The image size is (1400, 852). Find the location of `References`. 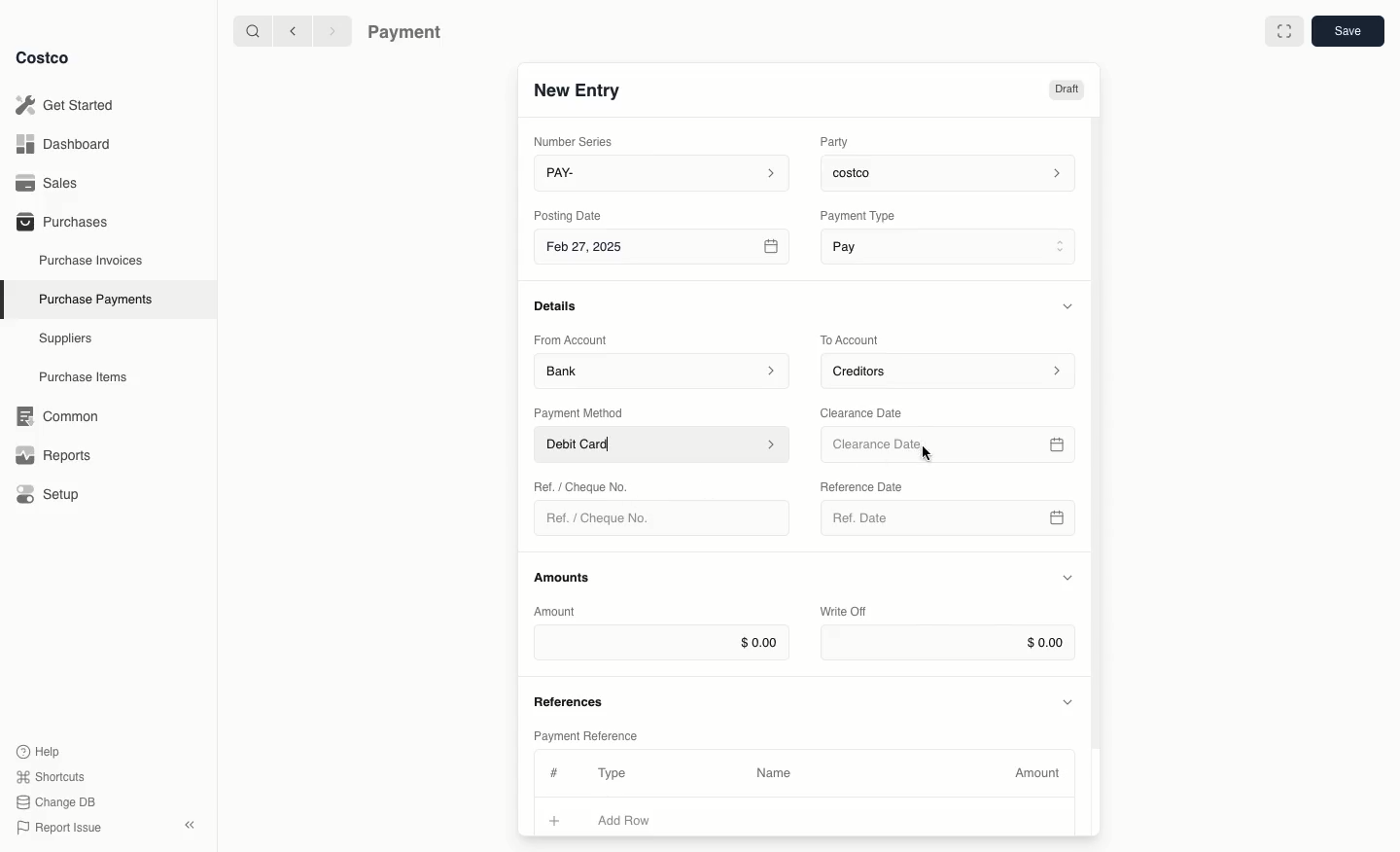

References is located at coordinates (572, 699).